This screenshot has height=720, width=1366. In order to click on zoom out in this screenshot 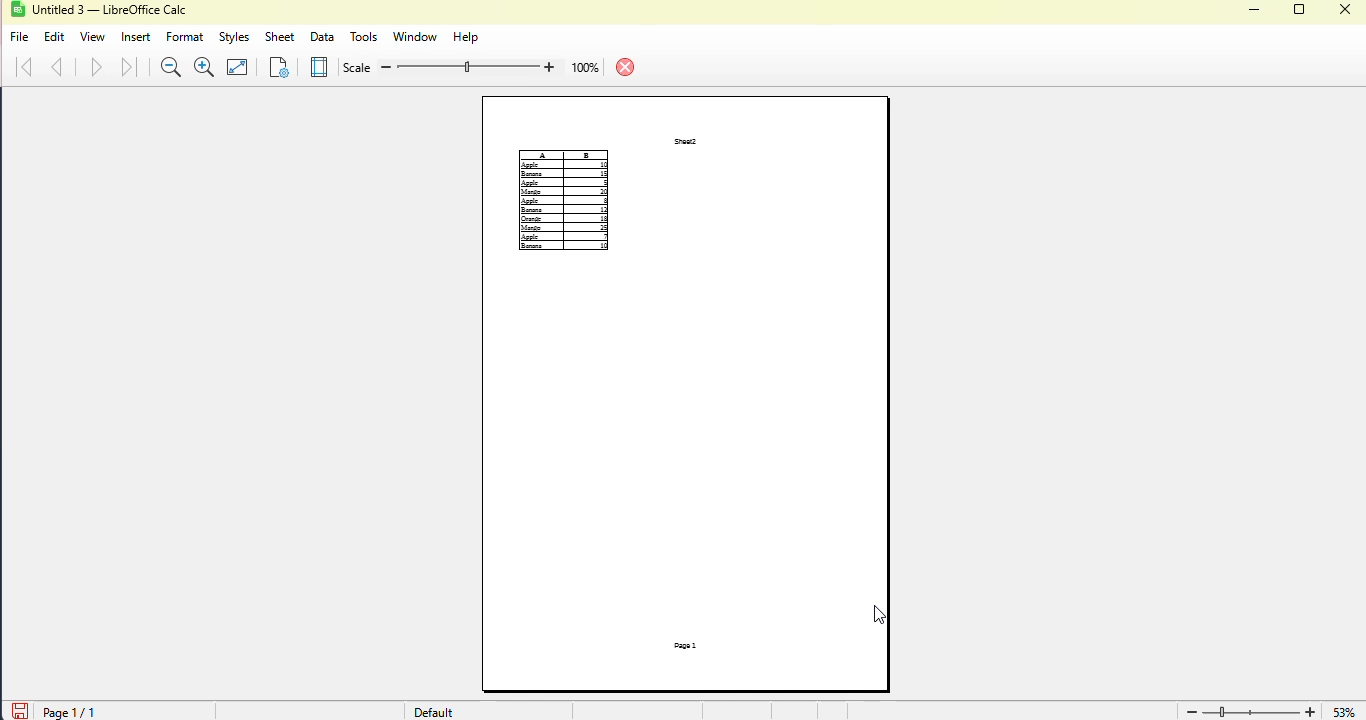, I will do `click(172, 67)`.